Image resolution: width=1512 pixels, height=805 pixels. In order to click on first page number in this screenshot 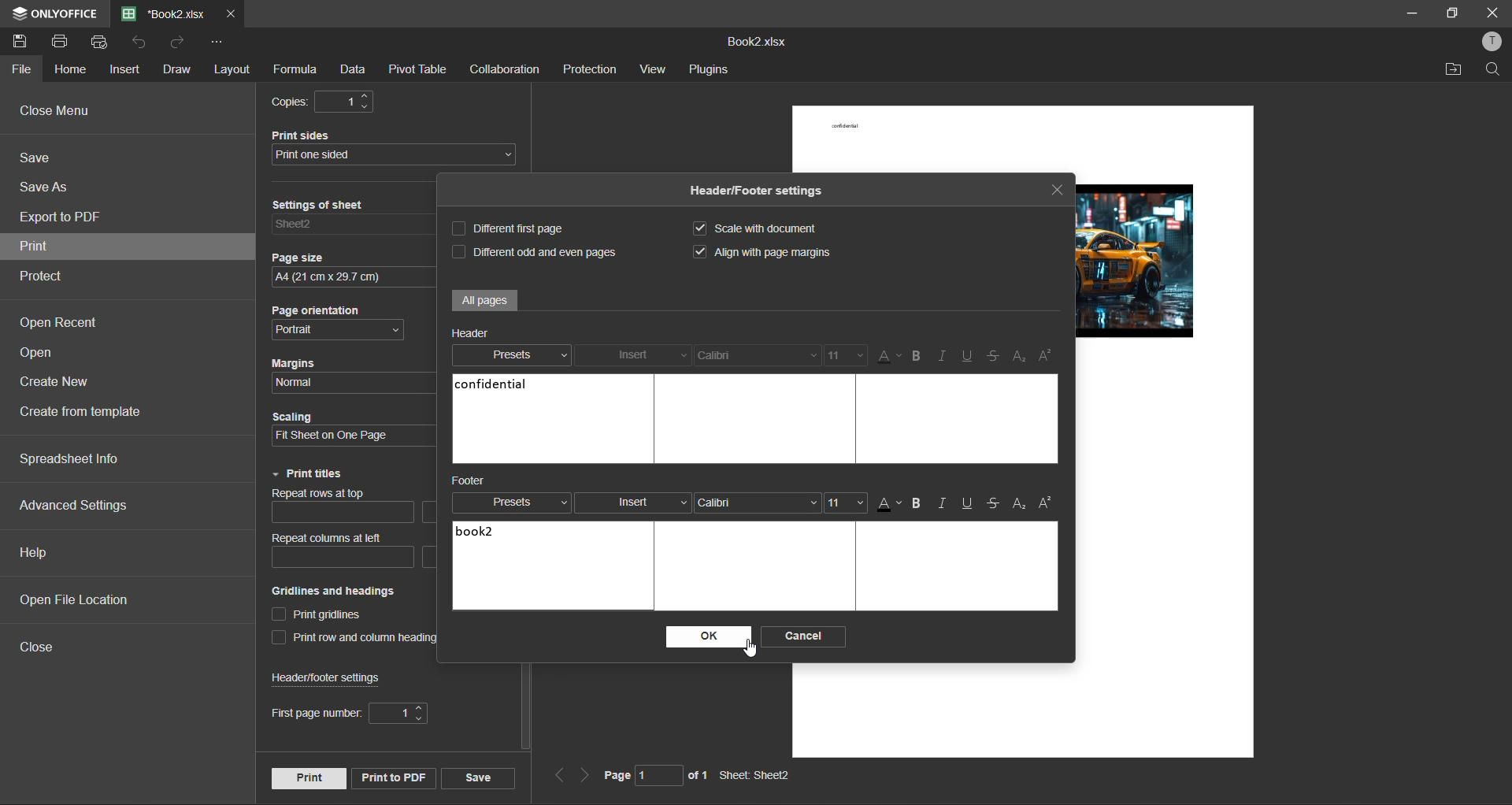, I will do `click(351, 711)`.